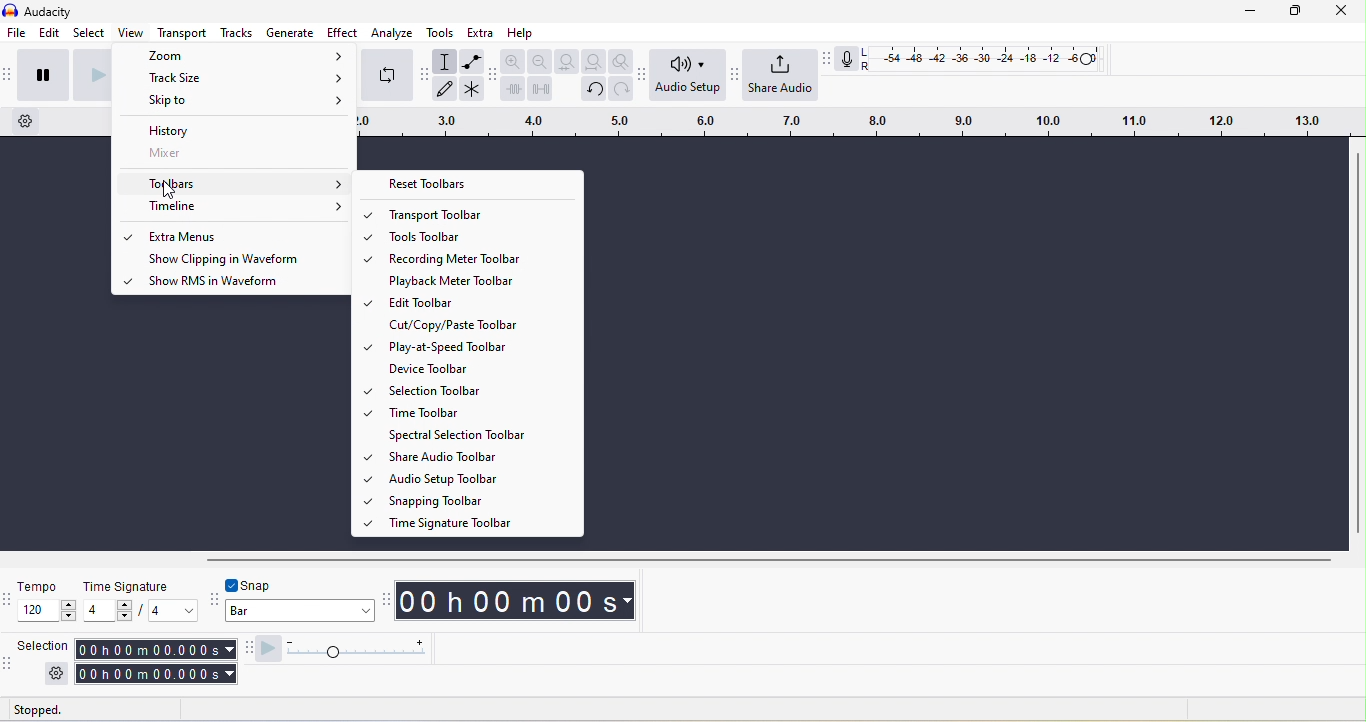 The image size is (1366, 722). Describe the element at coordinates (9, 76) in the screenshot. I see `audacity transport toolbar` at that location.